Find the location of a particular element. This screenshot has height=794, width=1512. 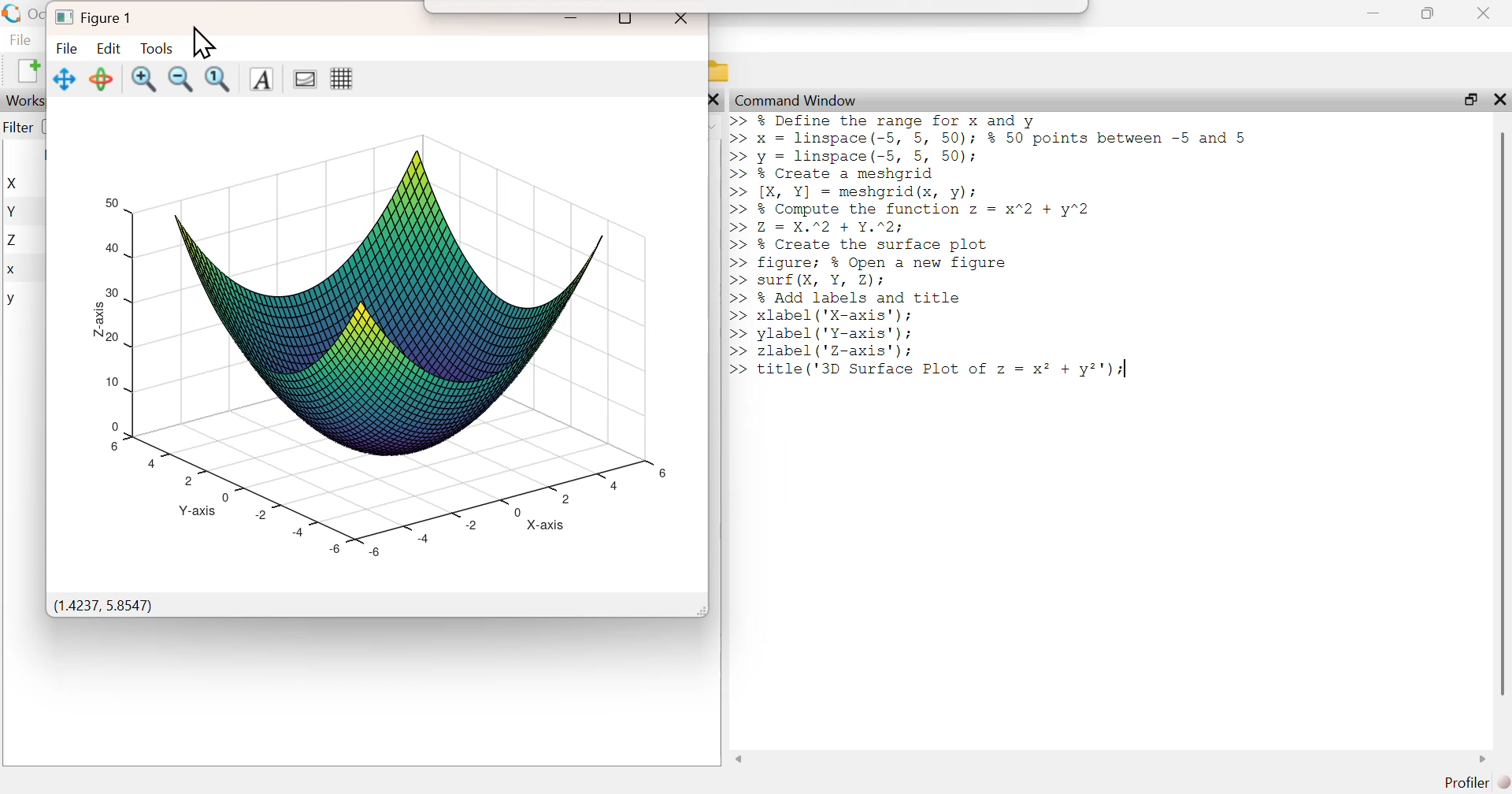

minimize is located at coordinates (1373, 13).